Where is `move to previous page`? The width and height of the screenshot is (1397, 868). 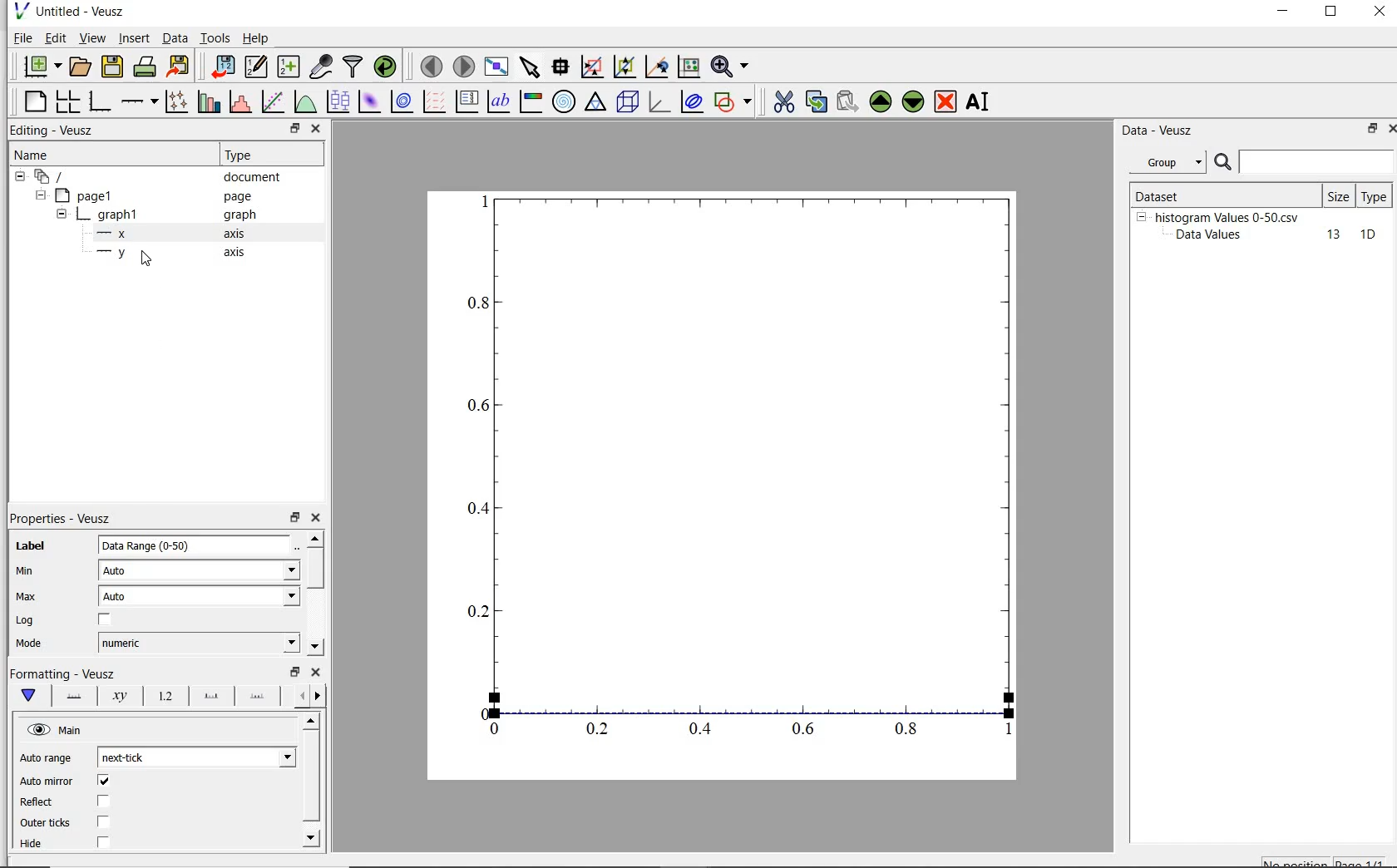
move to previous page is located at coordinates (431, 67).